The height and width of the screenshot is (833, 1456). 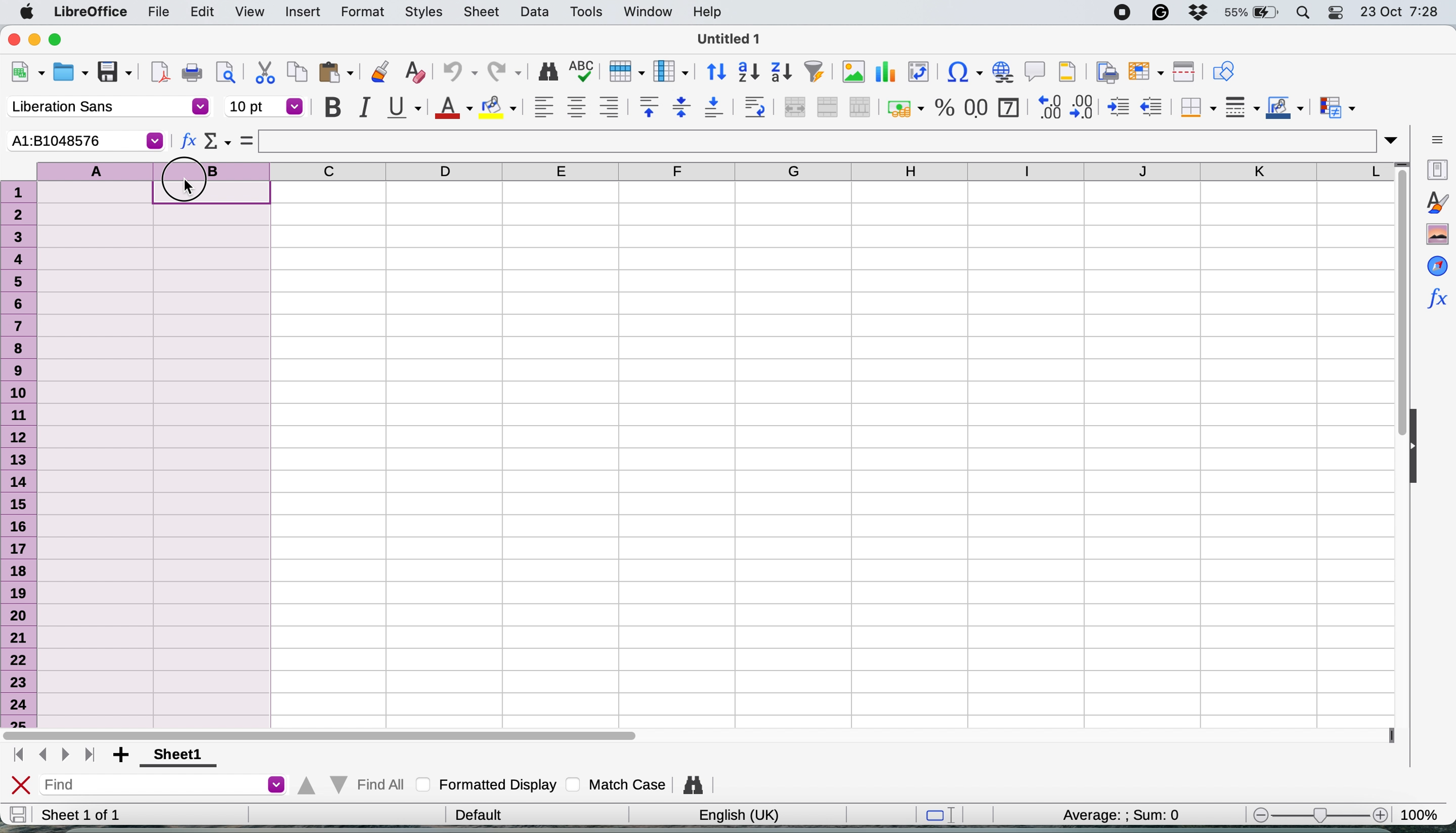 What do you see at coordinates (1117, 12) in the screenshot?
I see `screen recorder` at bounding box center [1117, 12].